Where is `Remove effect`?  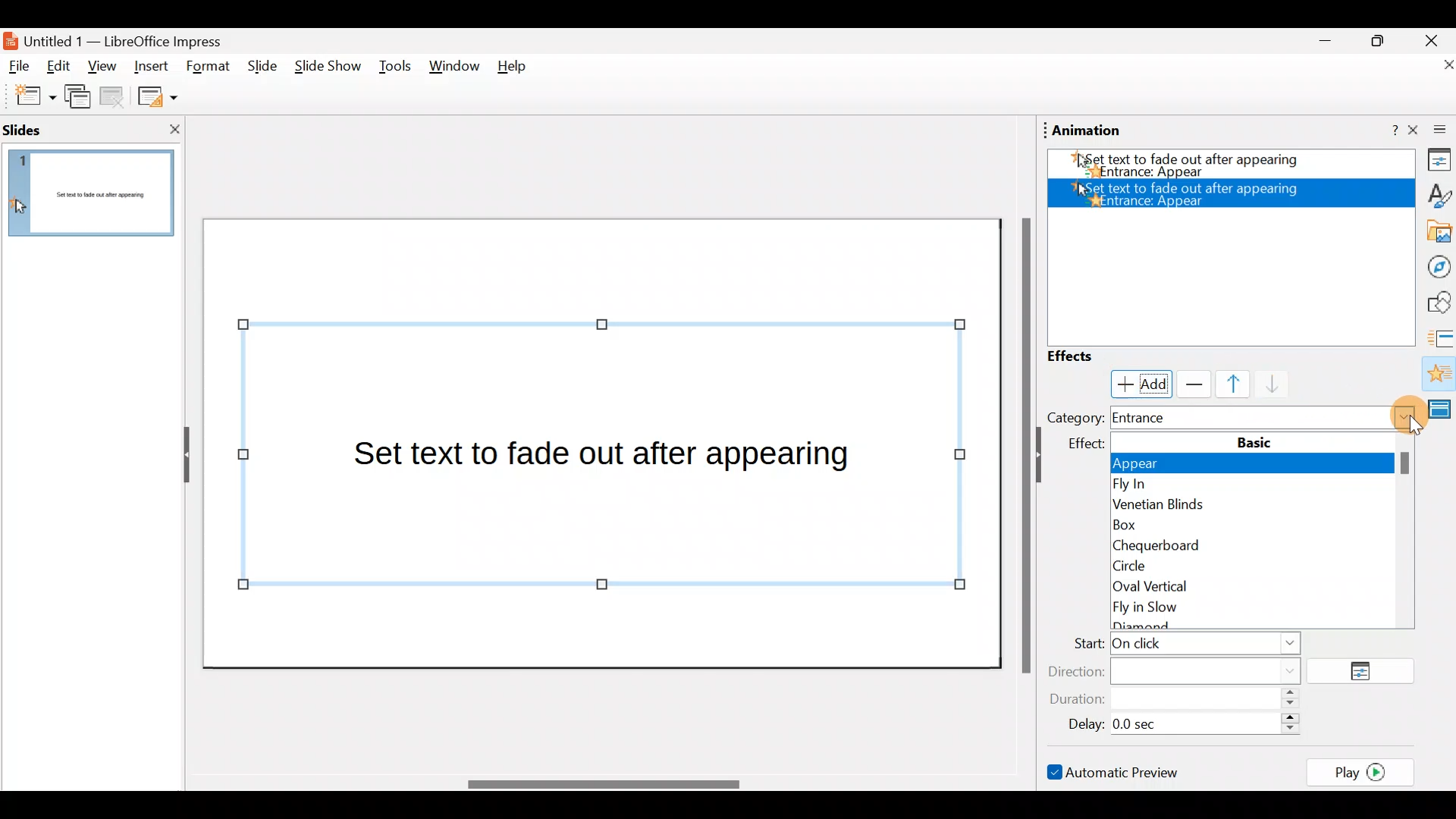 Remove effect is located at coordinates (1191, 384).